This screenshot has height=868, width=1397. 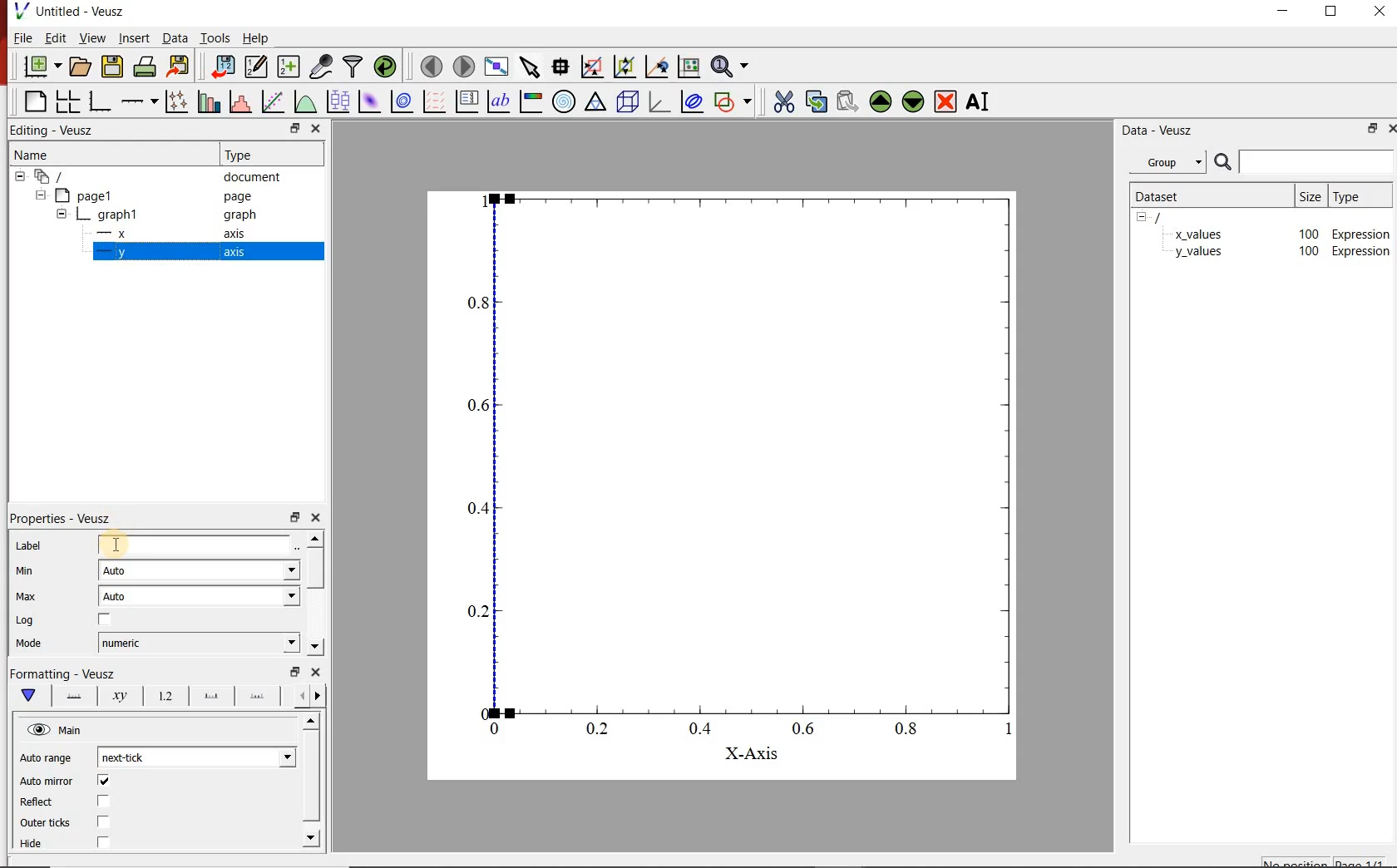 What do you see at coordinates (24, 37) in the screenshot?
I see `file` at bounding box center [24, 37].